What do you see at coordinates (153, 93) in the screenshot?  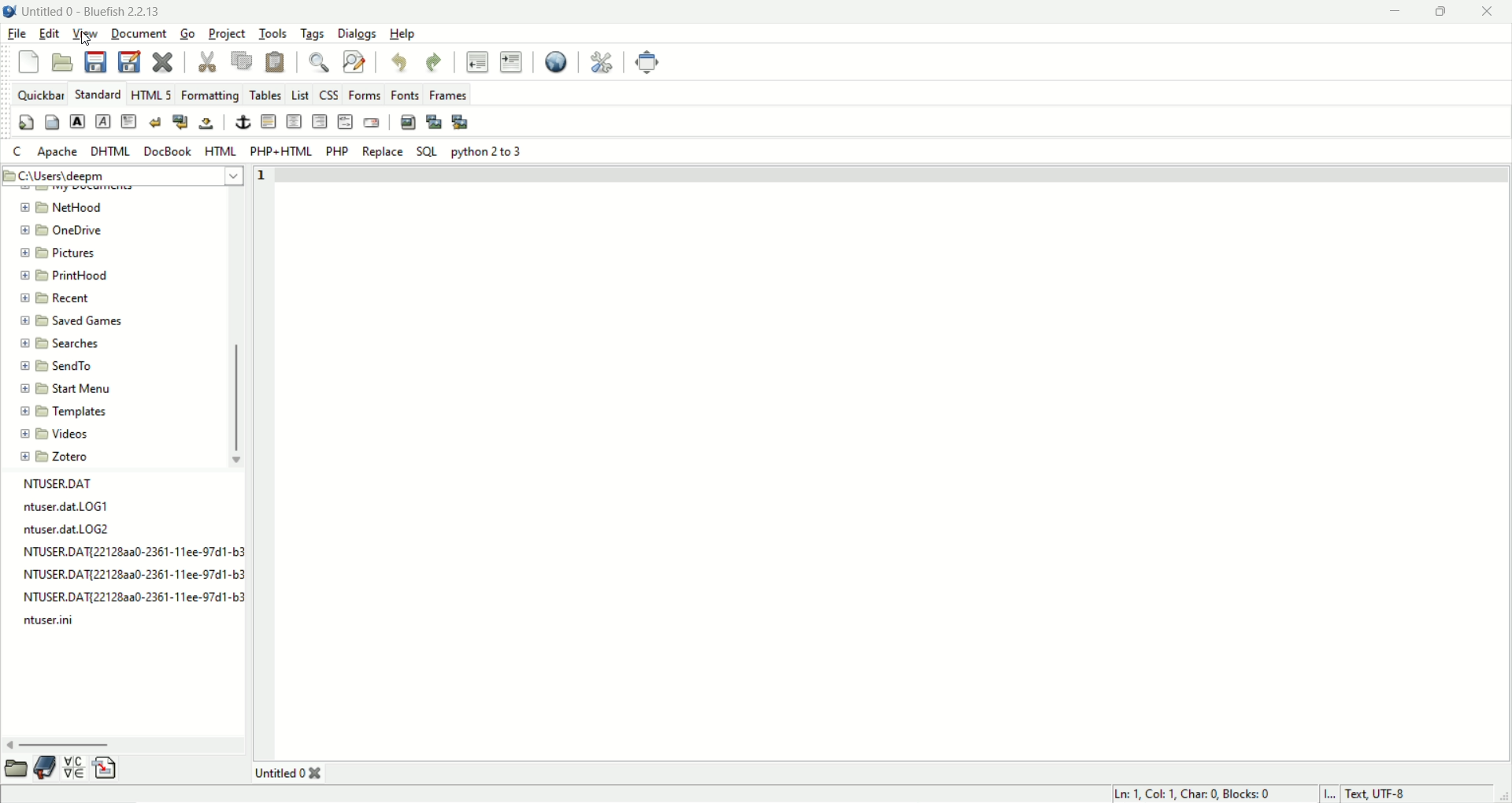 I see `HTML 5` at bounding box center [153, 93].